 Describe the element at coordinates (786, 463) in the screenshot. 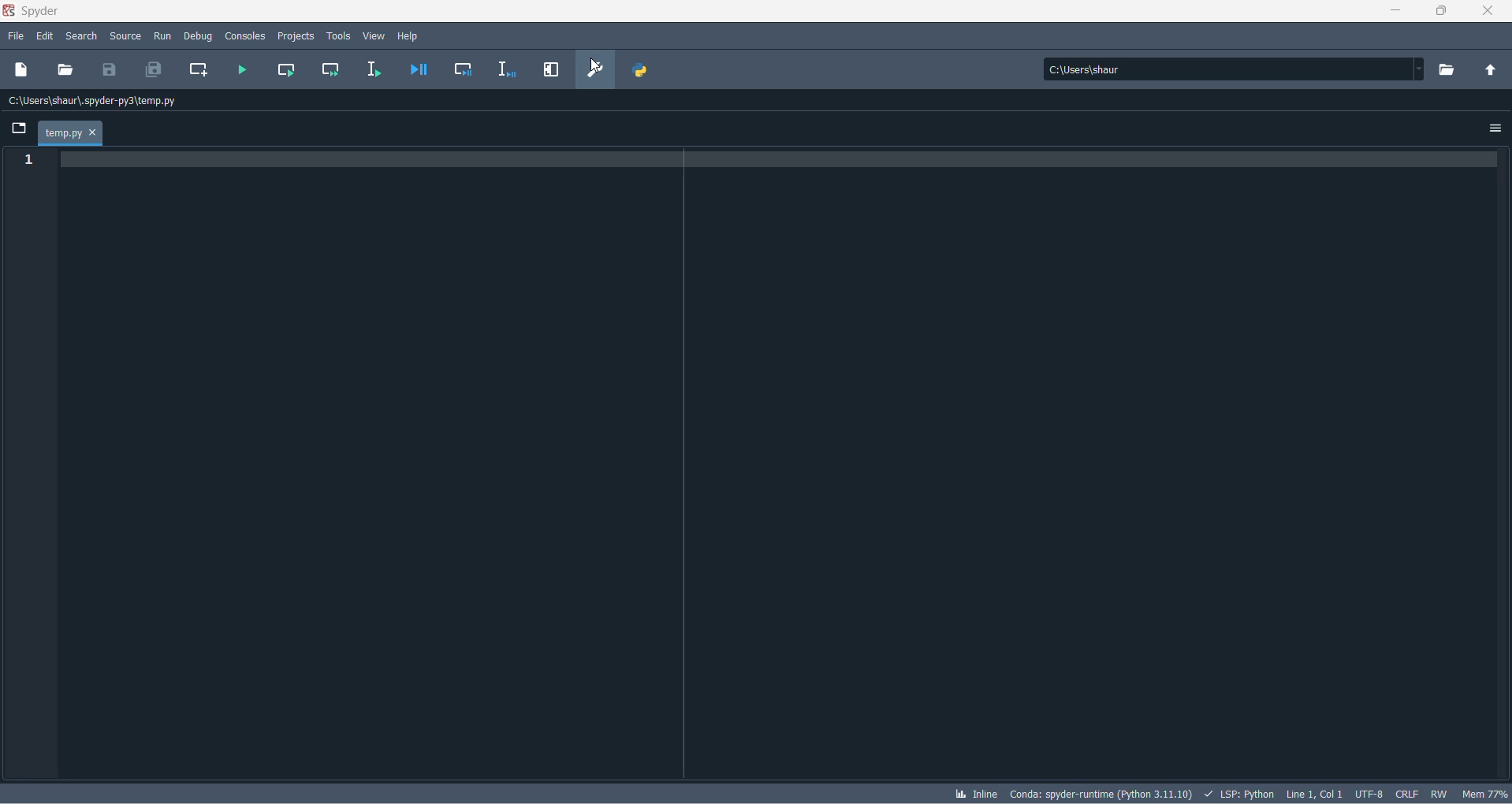

I see `code pad` at that location.